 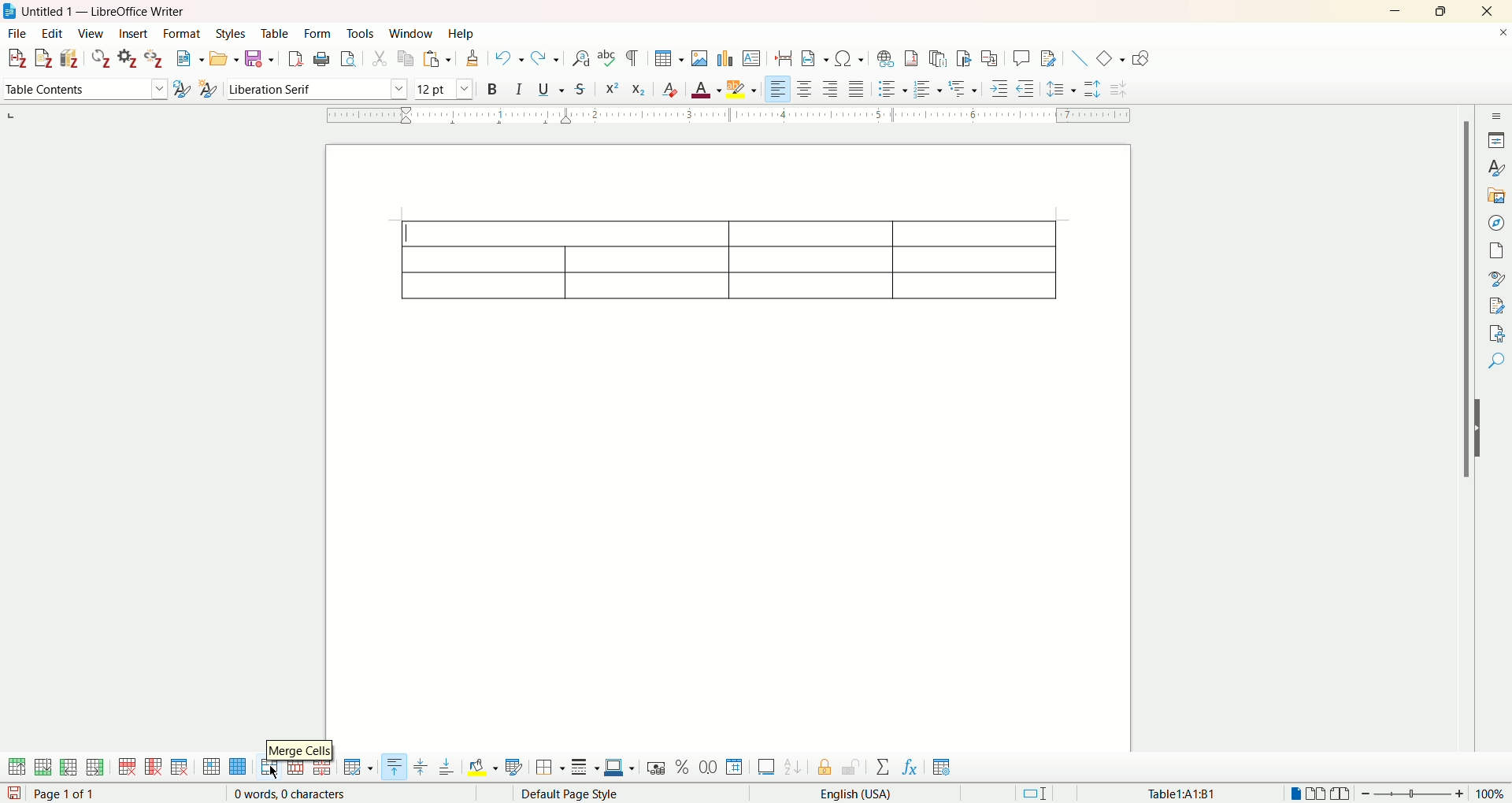 I want to click on paste, so click(x=437, y=58).